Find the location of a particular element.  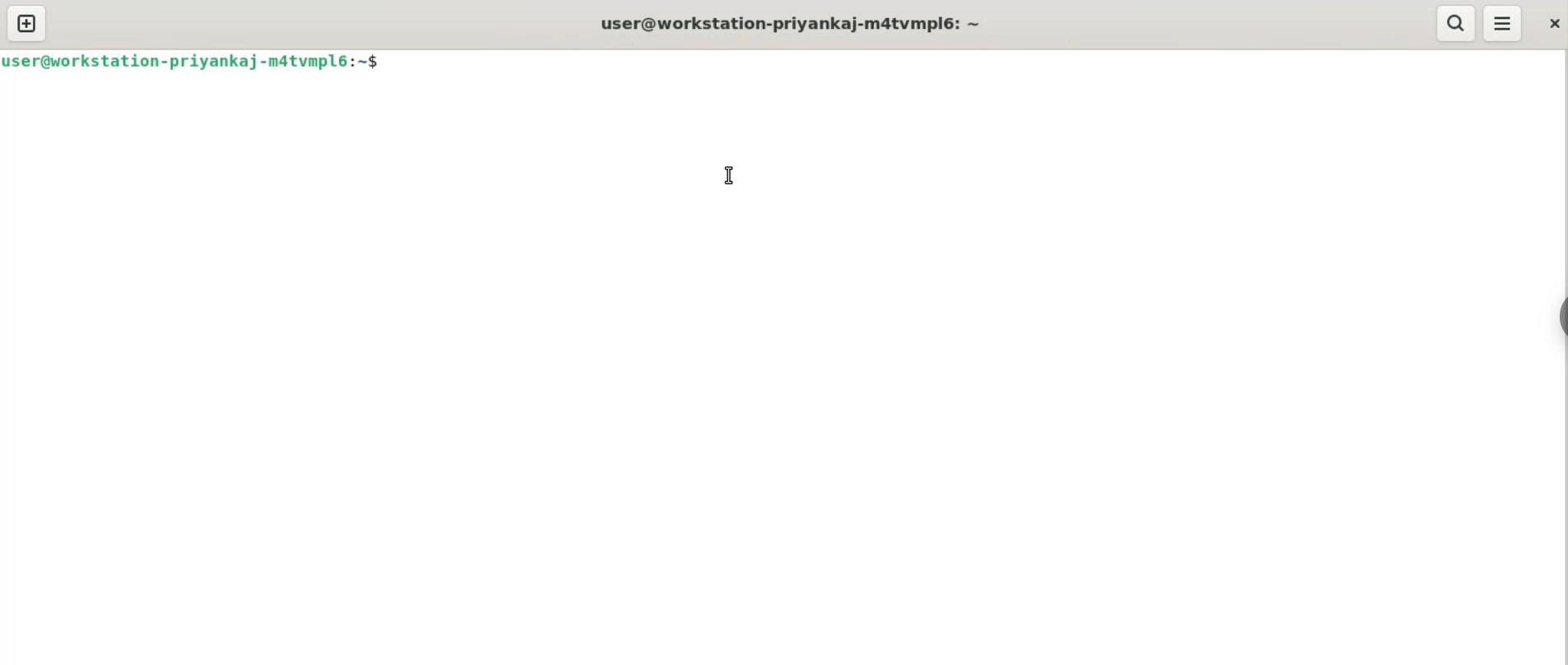

new tab is located at coordinates (27, 23).